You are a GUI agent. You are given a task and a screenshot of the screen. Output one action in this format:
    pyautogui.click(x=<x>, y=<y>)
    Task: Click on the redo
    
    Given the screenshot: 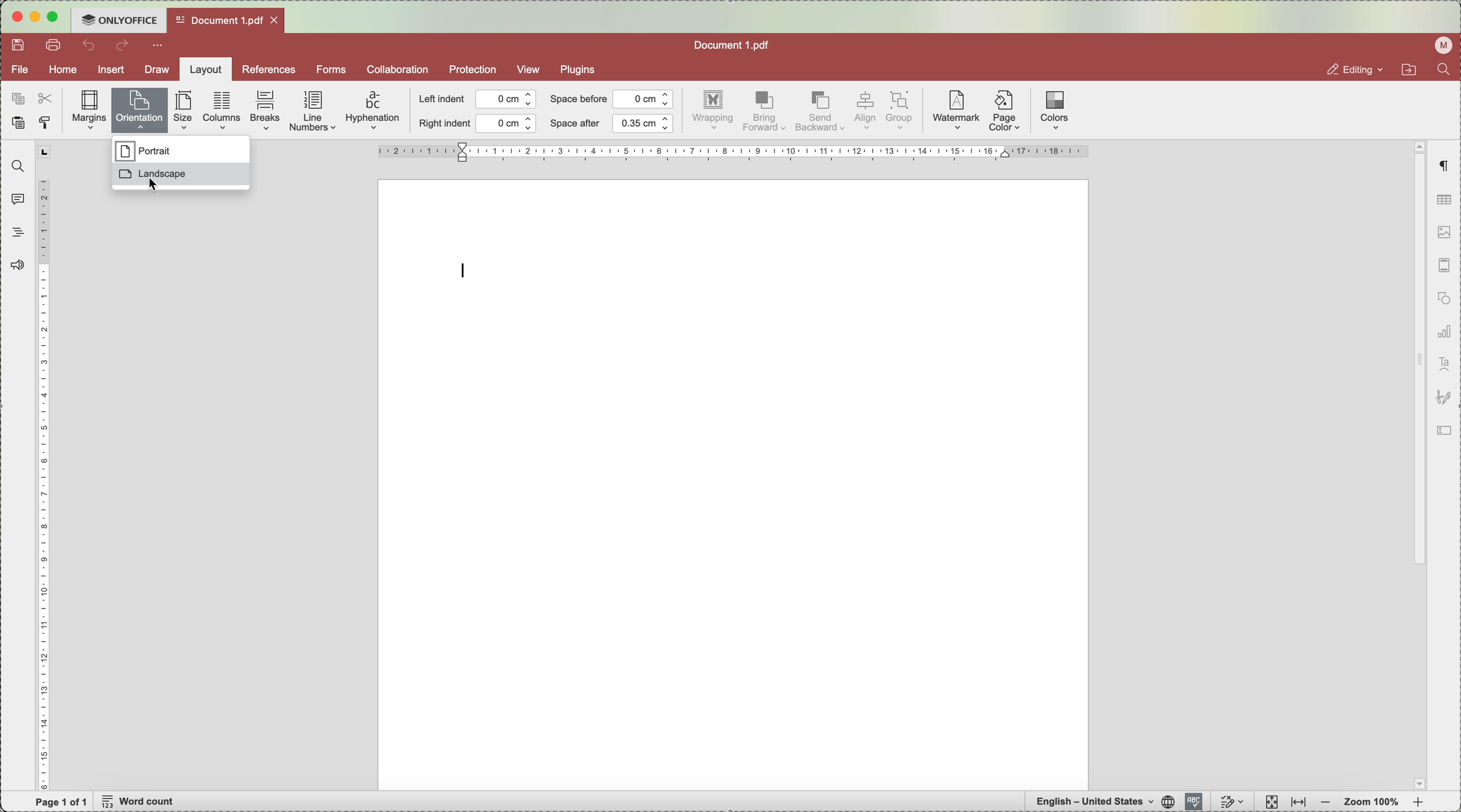 What is the action you would take?
    pyautogui.click(x=124, y=47)
    